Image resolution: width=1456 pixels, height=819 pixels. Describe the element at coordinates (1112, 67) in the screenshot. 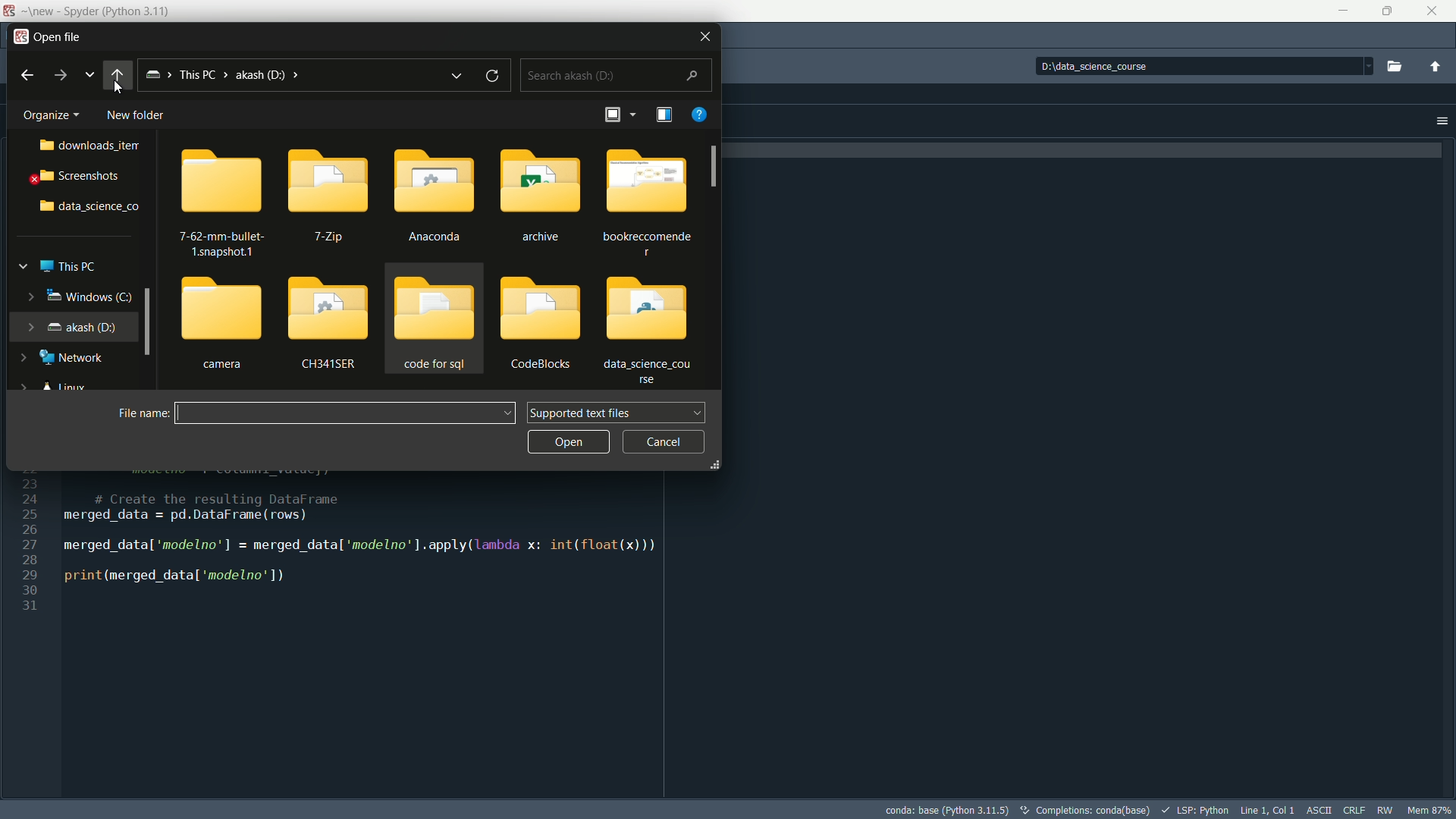

I see `D:\data_science_course` at that location.